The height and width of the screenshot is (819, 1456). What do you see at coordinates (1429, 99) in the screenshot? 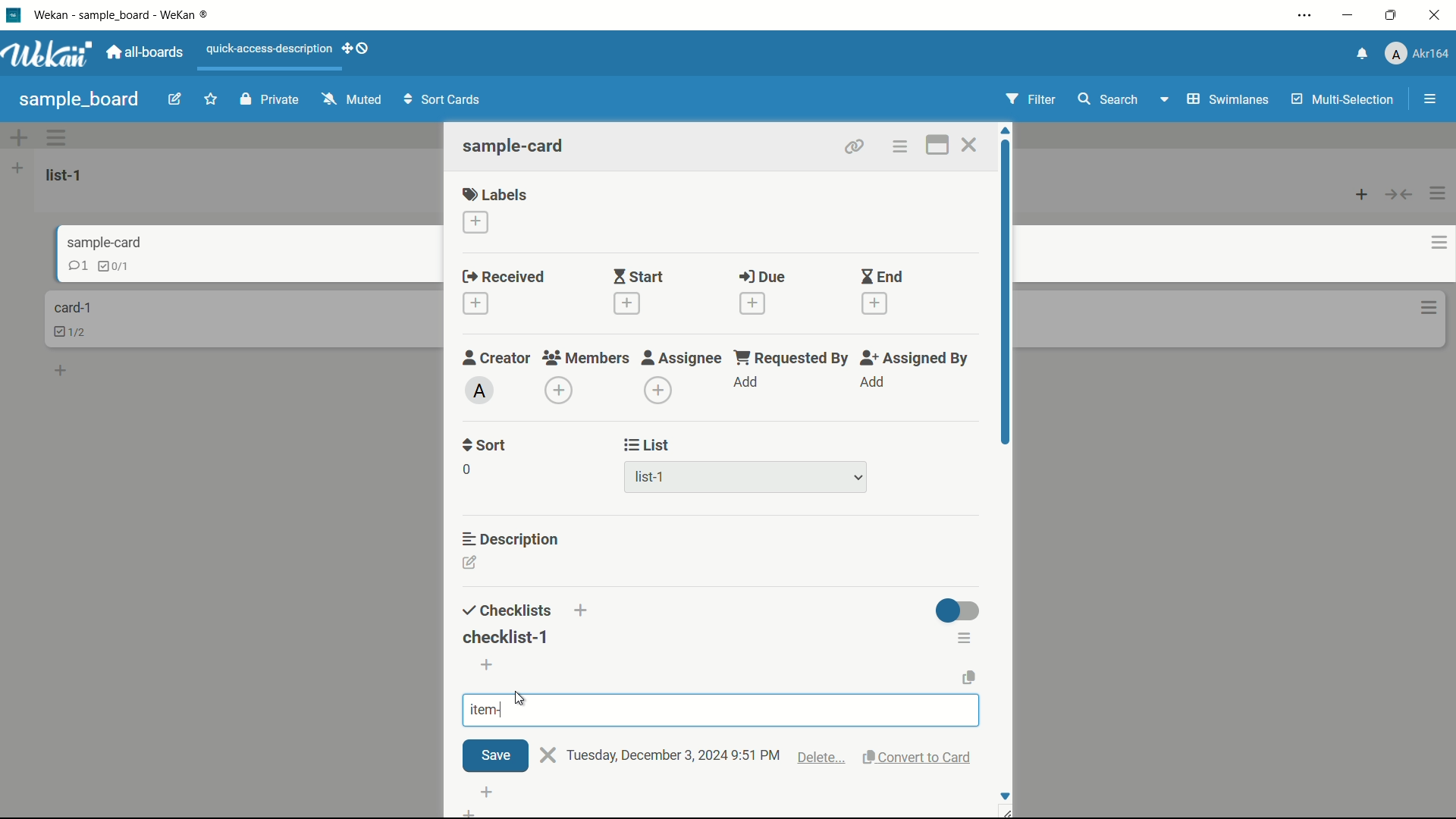
I see `open or close sidebar` at bounding box center [1429, 99].